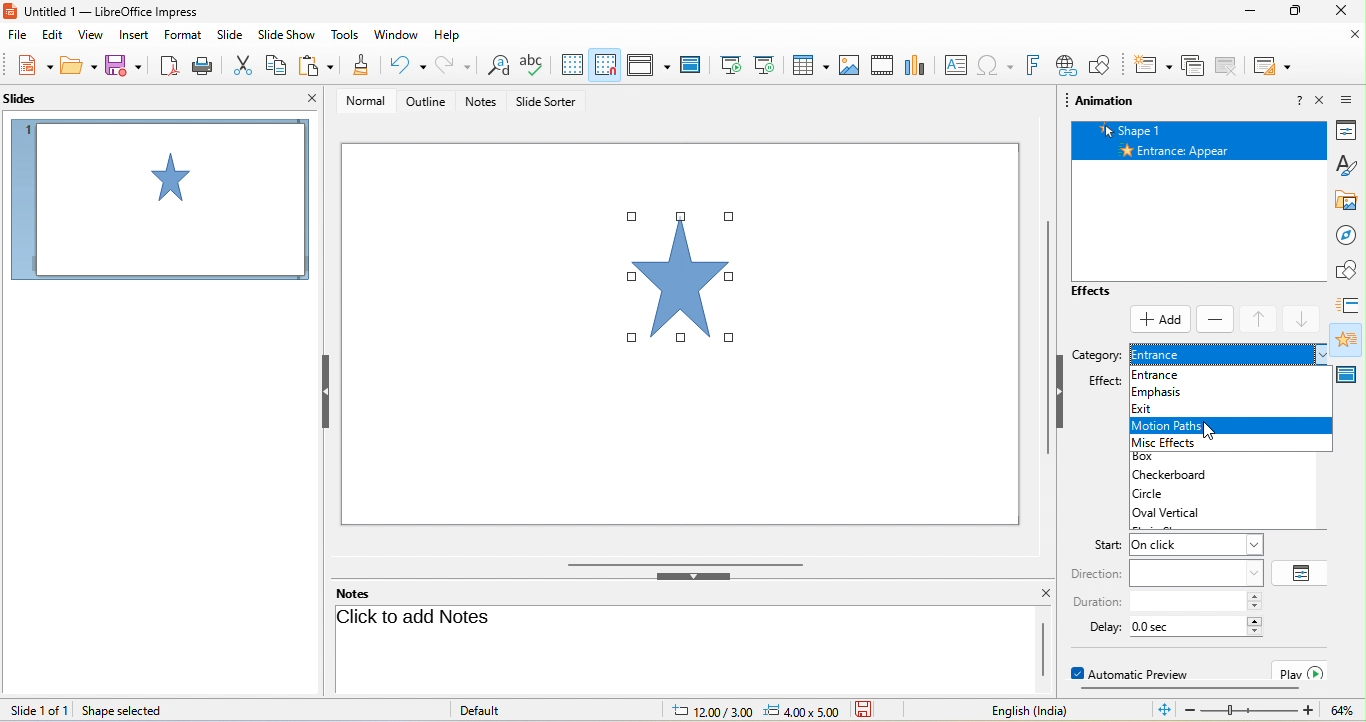  I want to click on close notes, so click(1046, 594).